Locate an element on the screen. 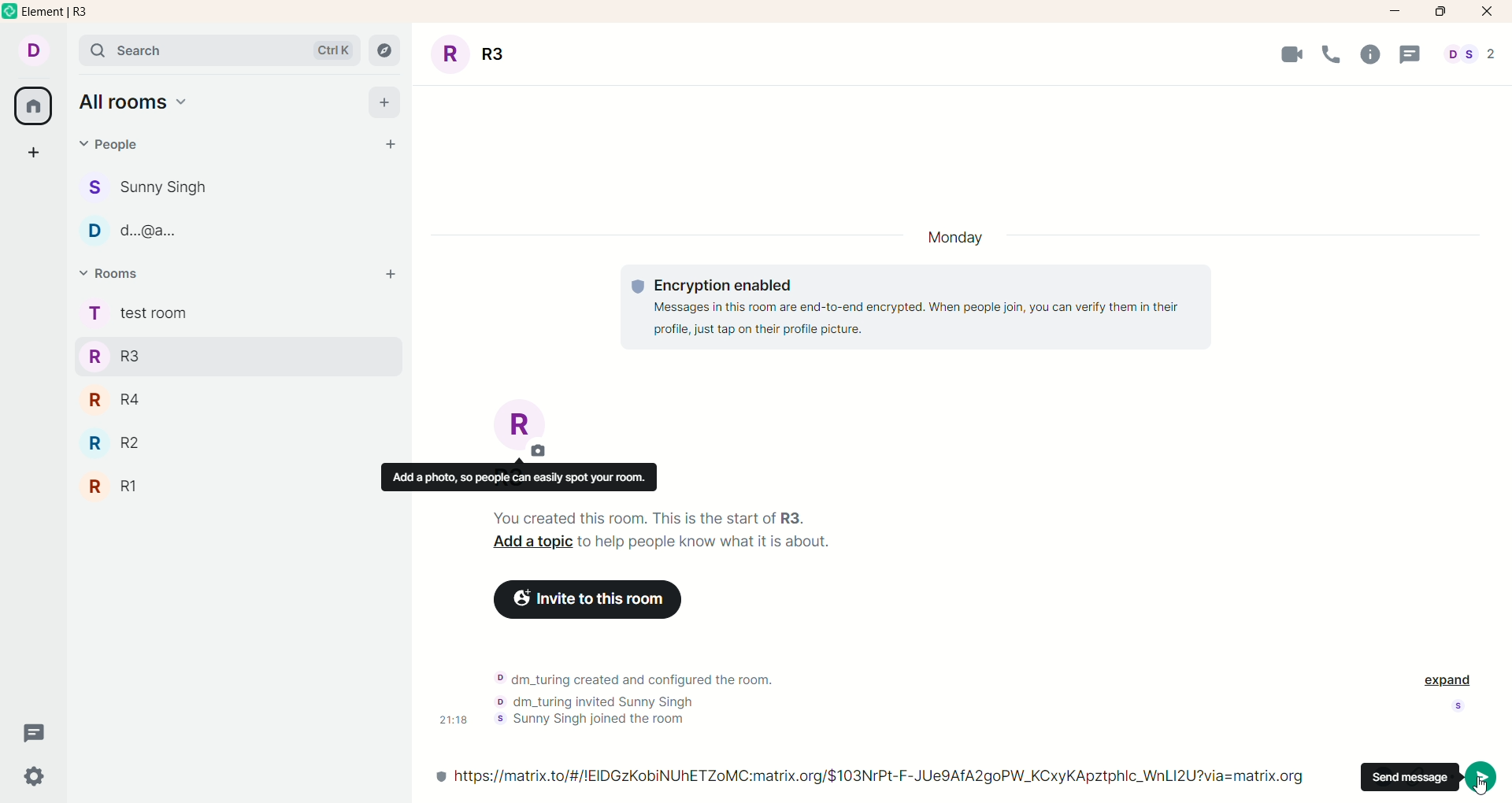  text is located at coordinates (924, 309).